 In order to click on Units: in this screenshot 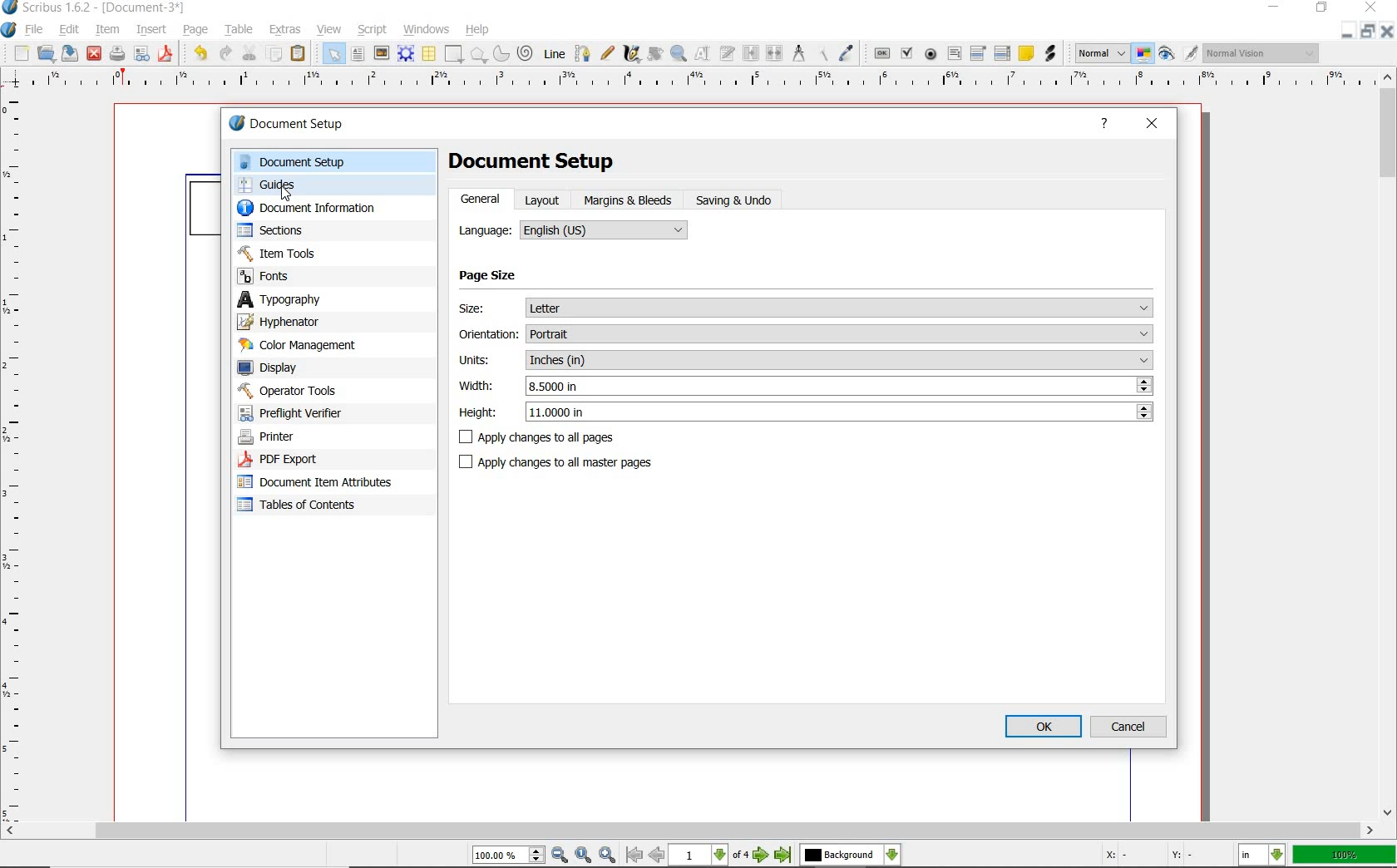, I will do `click(477, 360)`.